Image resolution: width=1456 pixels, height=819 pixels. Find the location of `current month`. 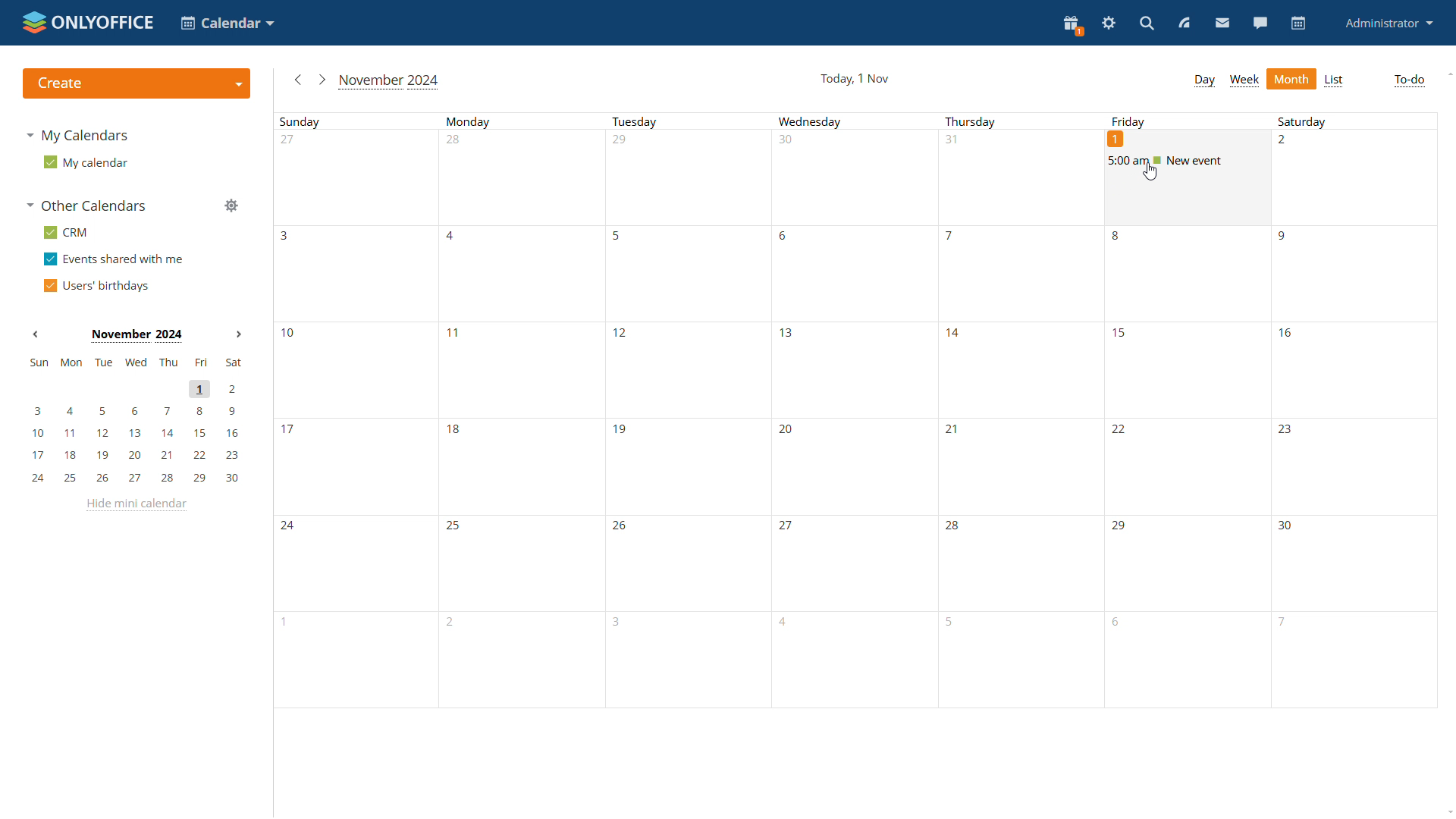

current month is located at coordinates (389, 82).